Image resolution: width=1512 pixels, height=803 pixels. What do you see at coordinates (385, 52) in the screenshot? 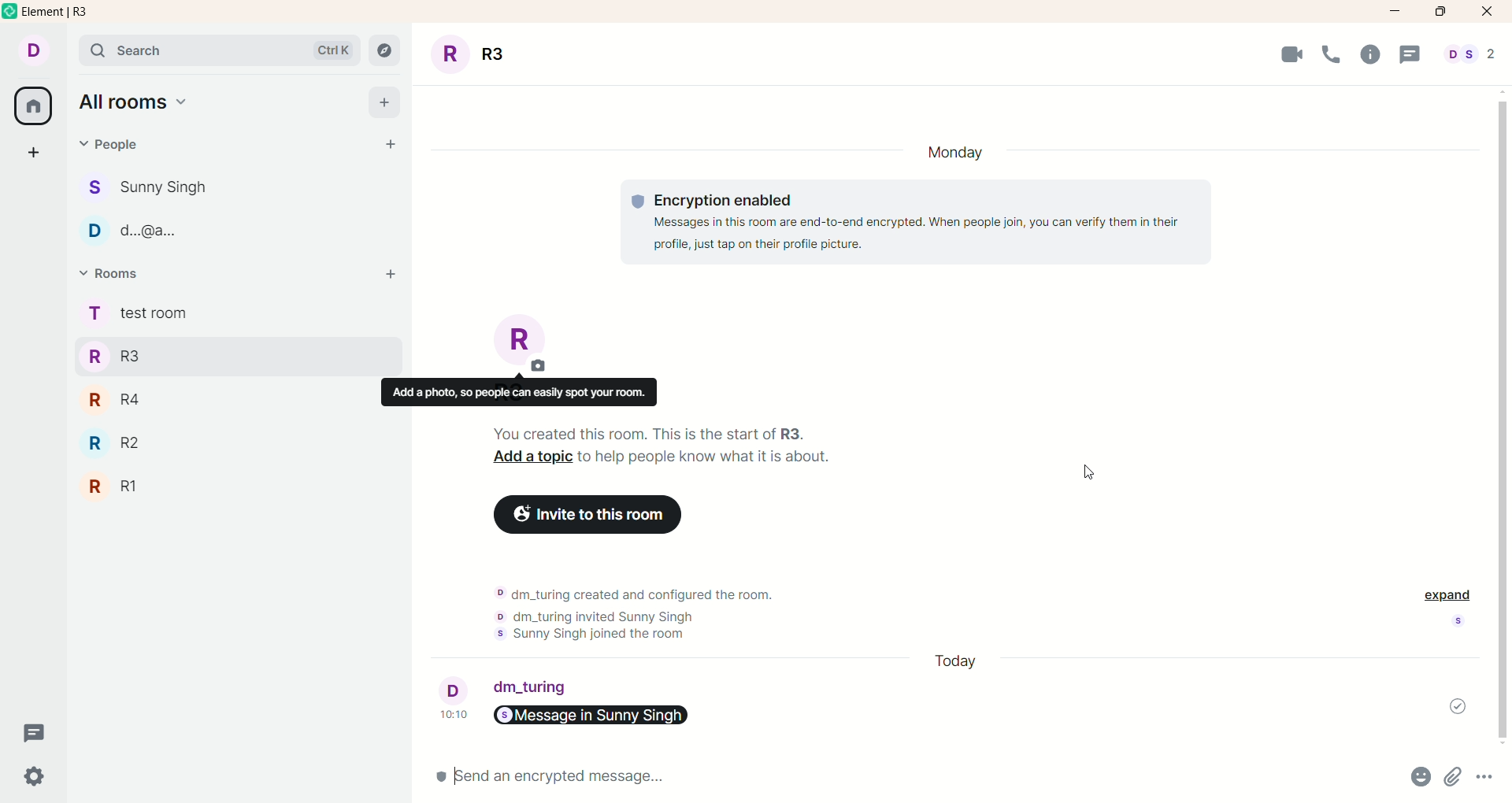
I see `explore rooms` at bounding box center [385, 52].